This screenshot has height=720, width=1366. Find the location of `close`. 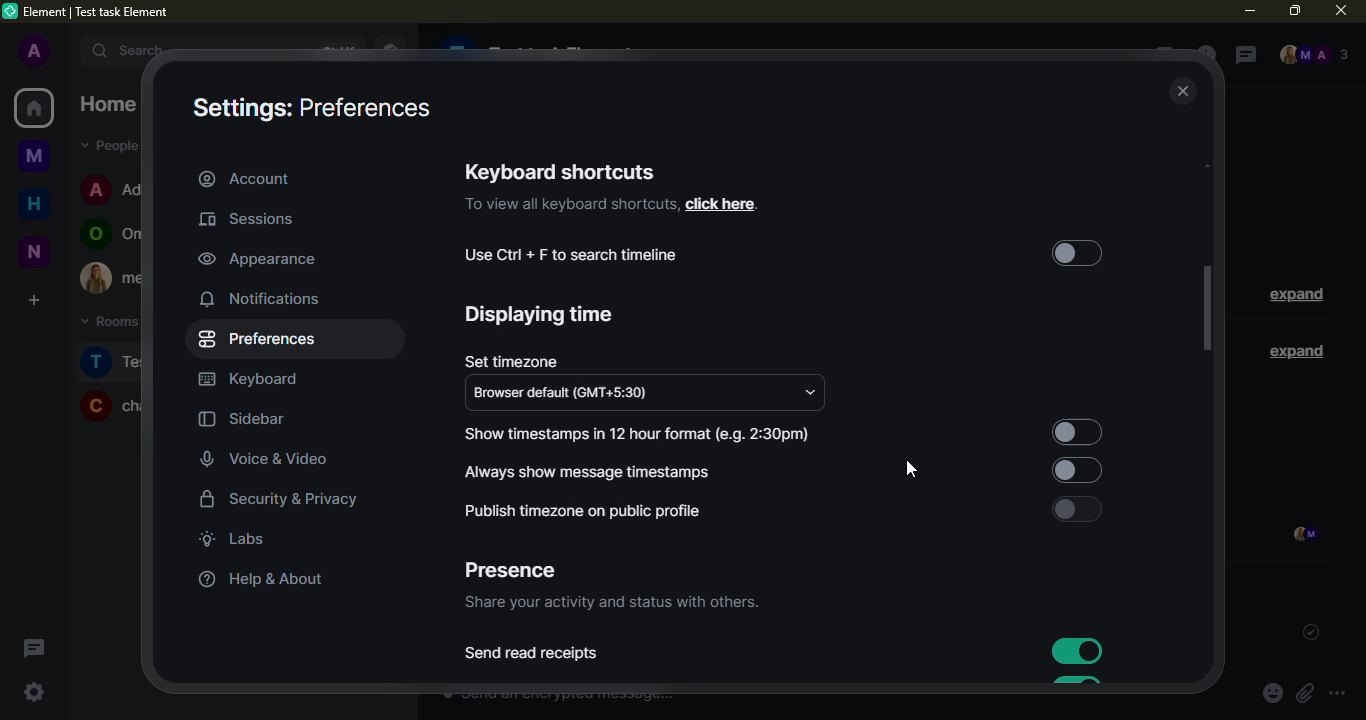

close is located at coordinates (1184, 92).